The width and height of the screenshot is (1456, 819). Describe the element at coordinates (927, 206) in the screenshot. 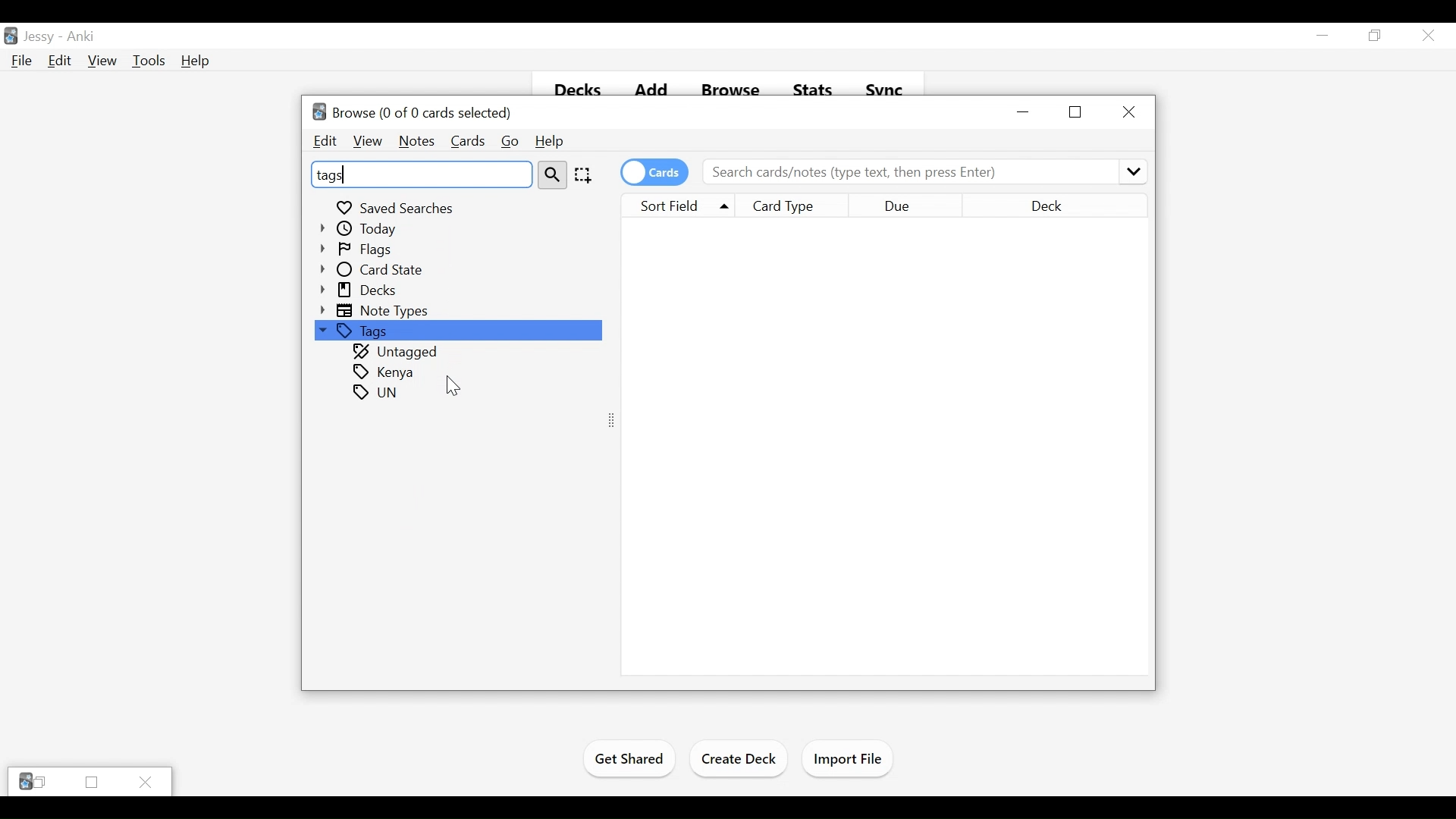

I see `Due` at that location.